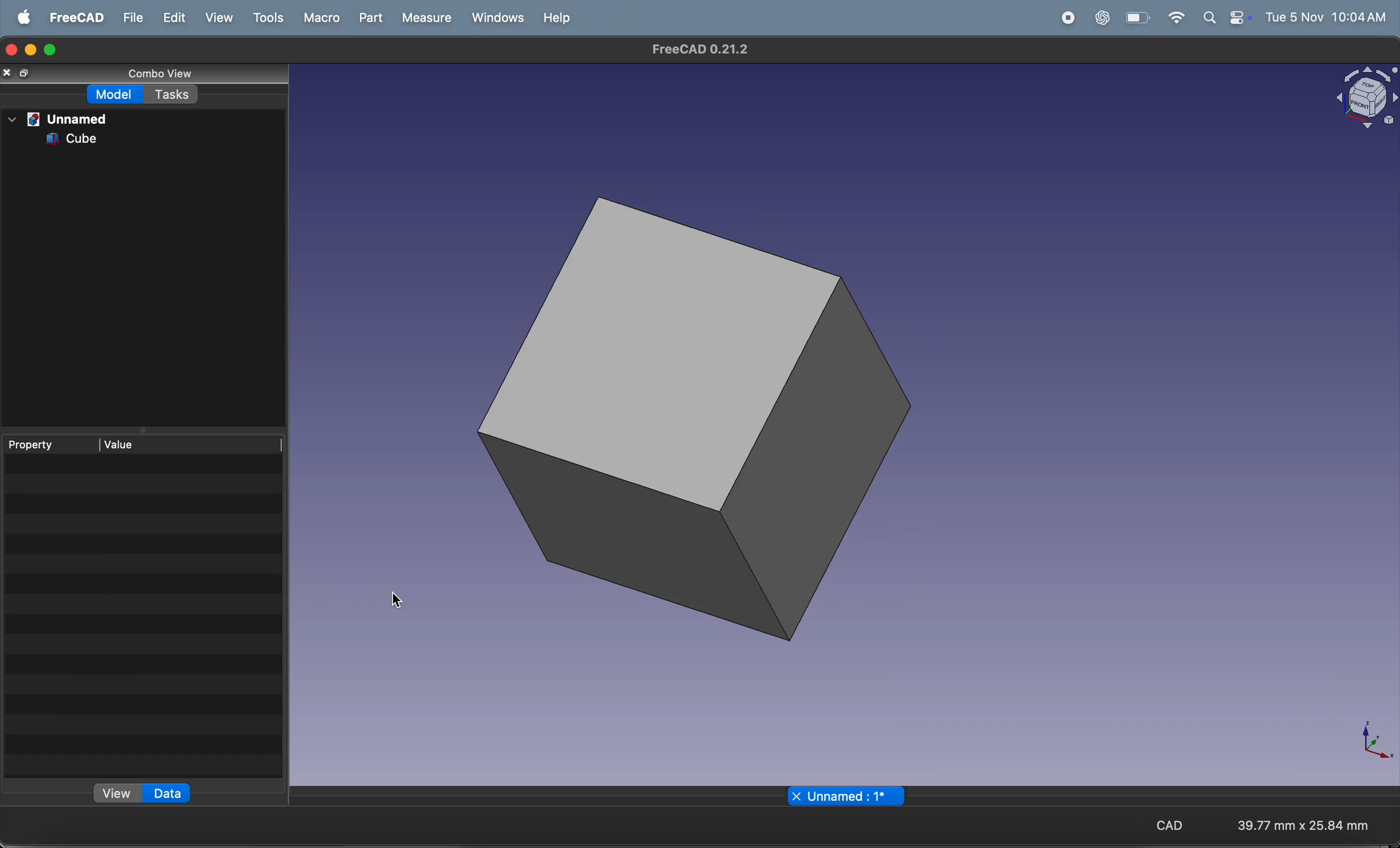 The height and width of the screenshot is (848, 1400). I want to click on wifi, so click(1177, 17).